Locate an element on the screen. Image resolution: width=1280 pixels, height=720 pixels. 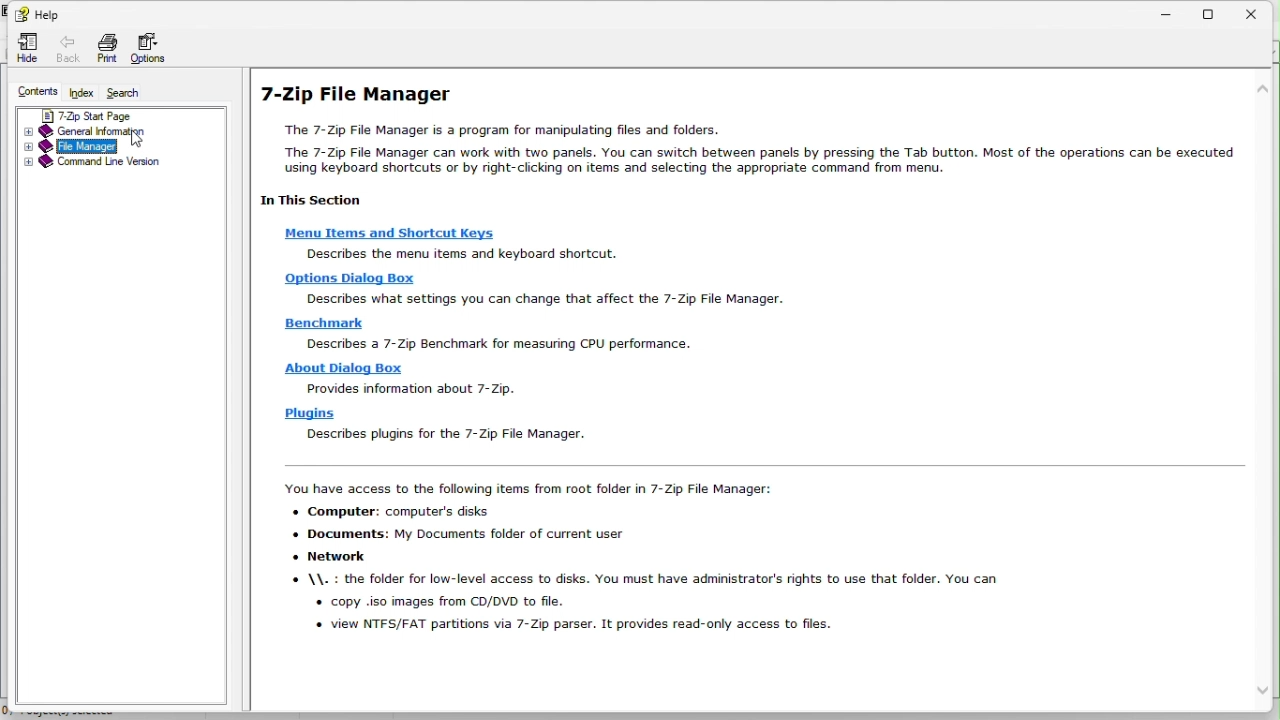
describes plugins for the 7-Zip File Manager is located at coordinates (441, 435).